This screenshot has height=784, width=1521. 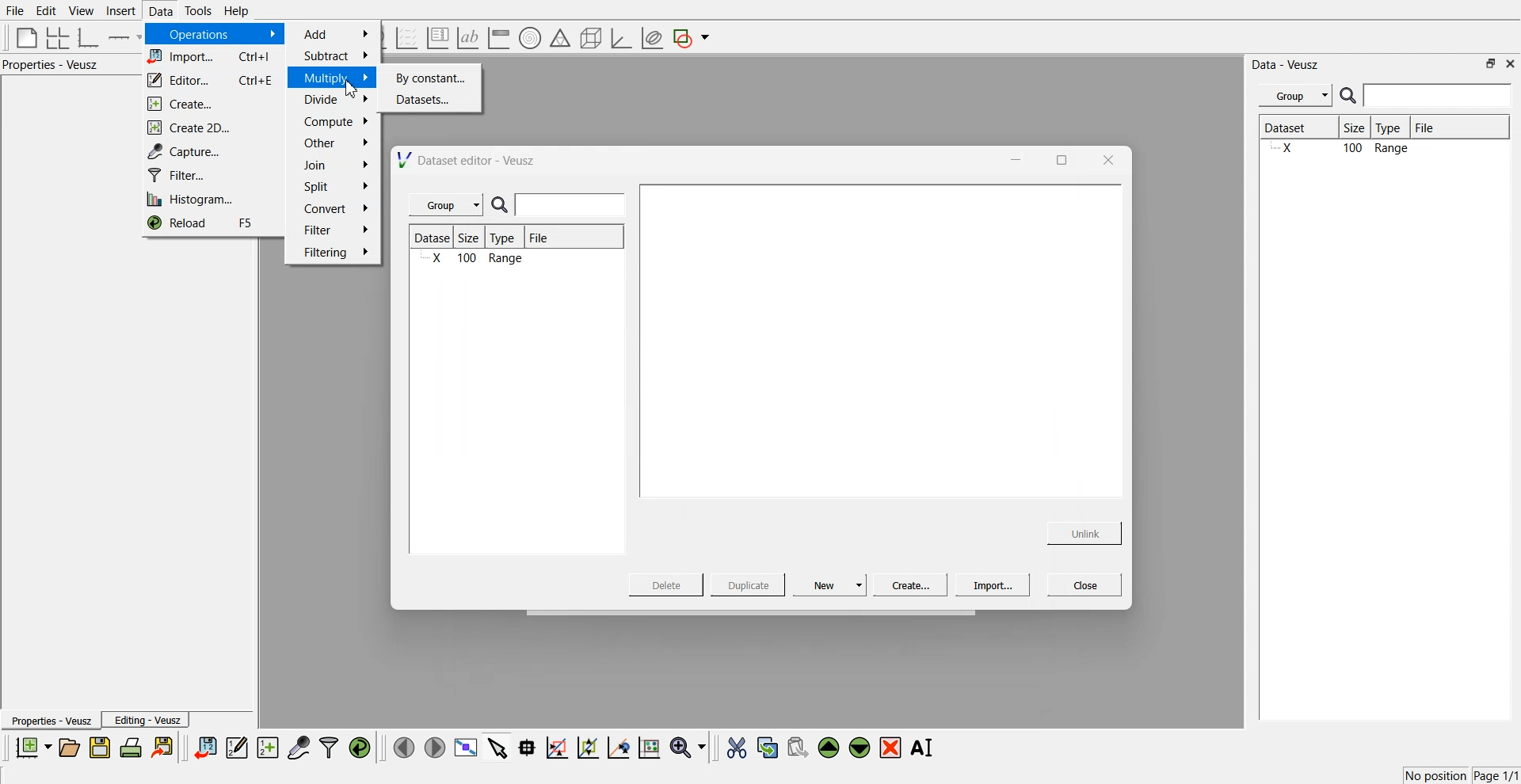 I want to click on 3d graph, so click(x=620, y=39).